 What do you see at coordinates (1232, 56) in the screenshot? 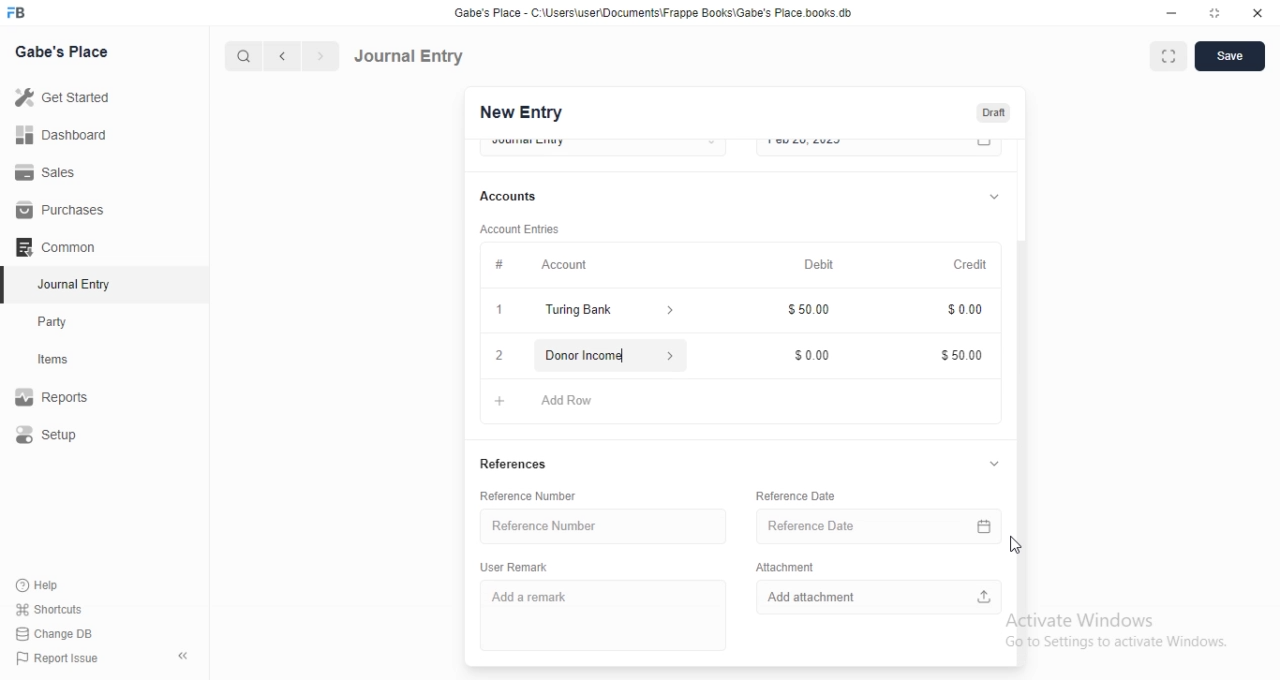
I see `save` at bounding box center [1232, 56].